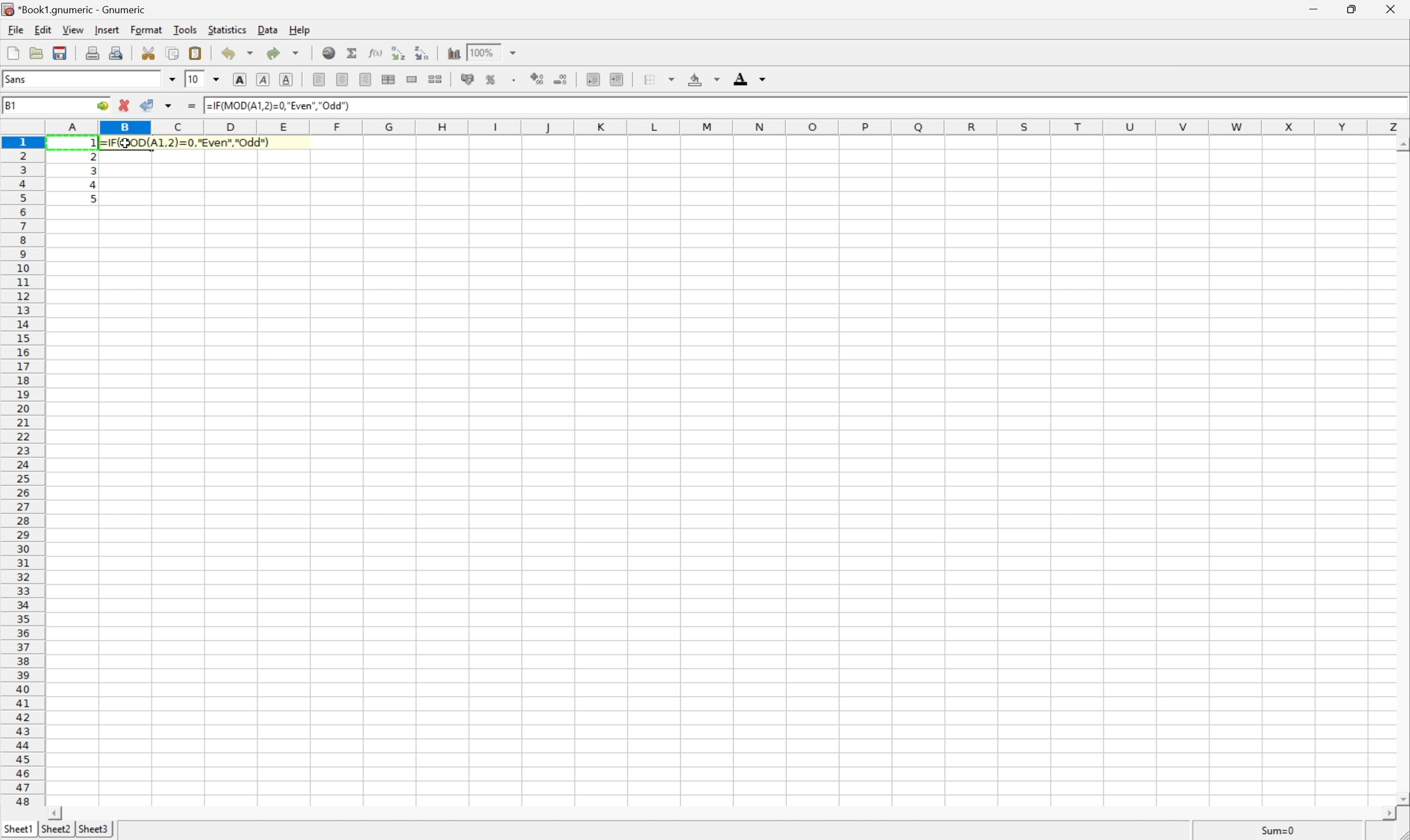 The image size is (1410, 840). What do you see at coordinates (109, 30) in the screenshot?
I see `Insert` at bounding box center [109, 30].